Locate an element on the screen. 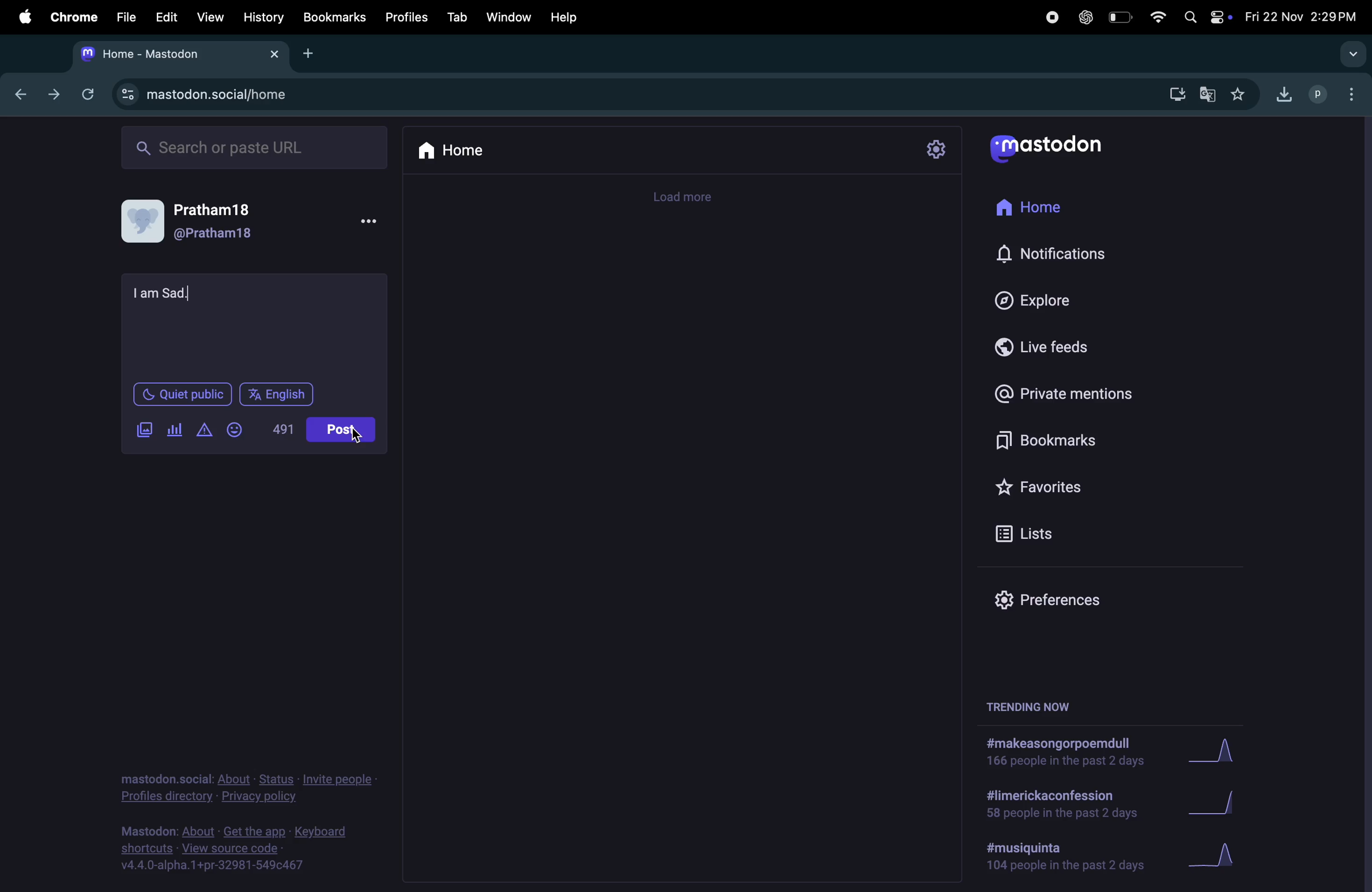 Image resolution: width=1372 pixels, height=892 pixels. hashtags is located at coordinates (1066, 805).